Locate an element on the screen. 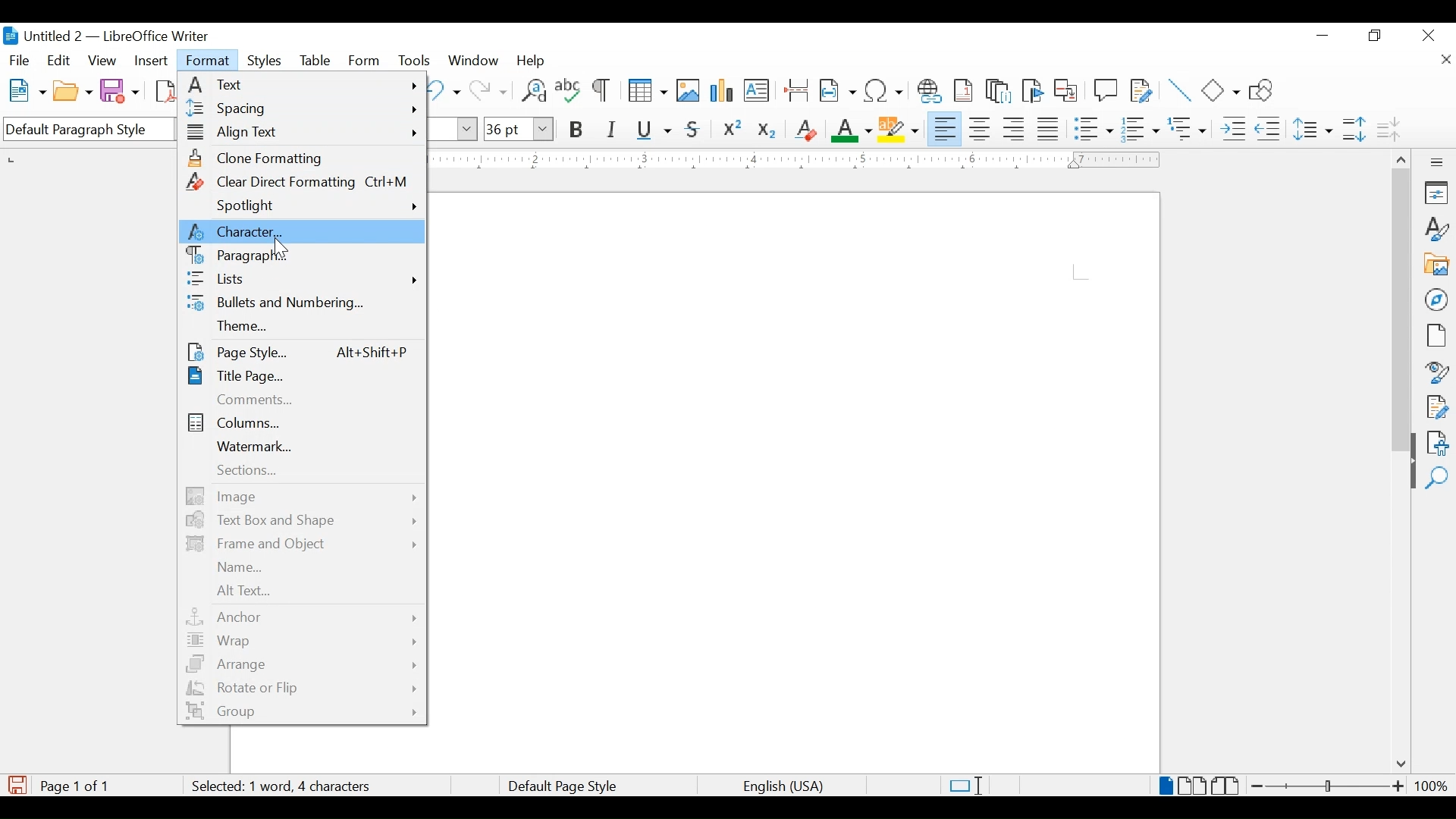  font color is located at coordinates (852, 130).